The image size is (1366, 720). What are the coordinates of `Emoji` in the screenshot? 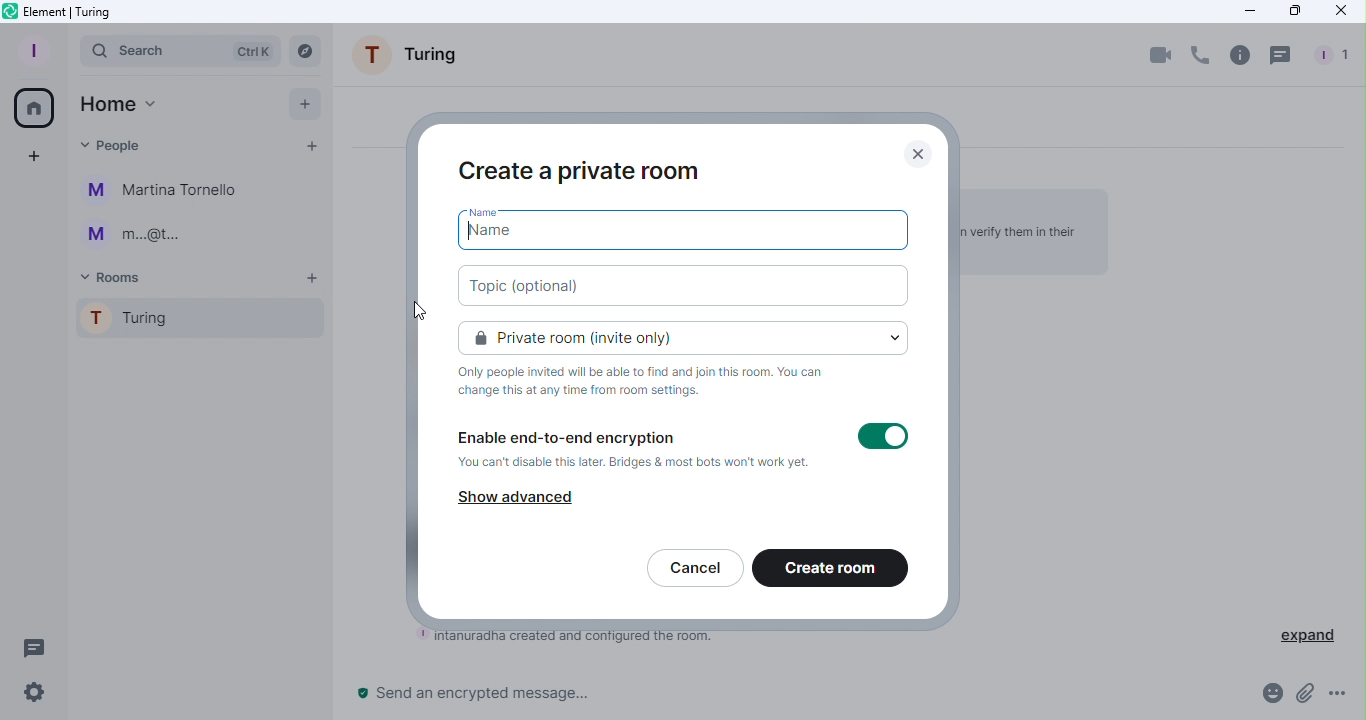 It's located at (1268, 697).